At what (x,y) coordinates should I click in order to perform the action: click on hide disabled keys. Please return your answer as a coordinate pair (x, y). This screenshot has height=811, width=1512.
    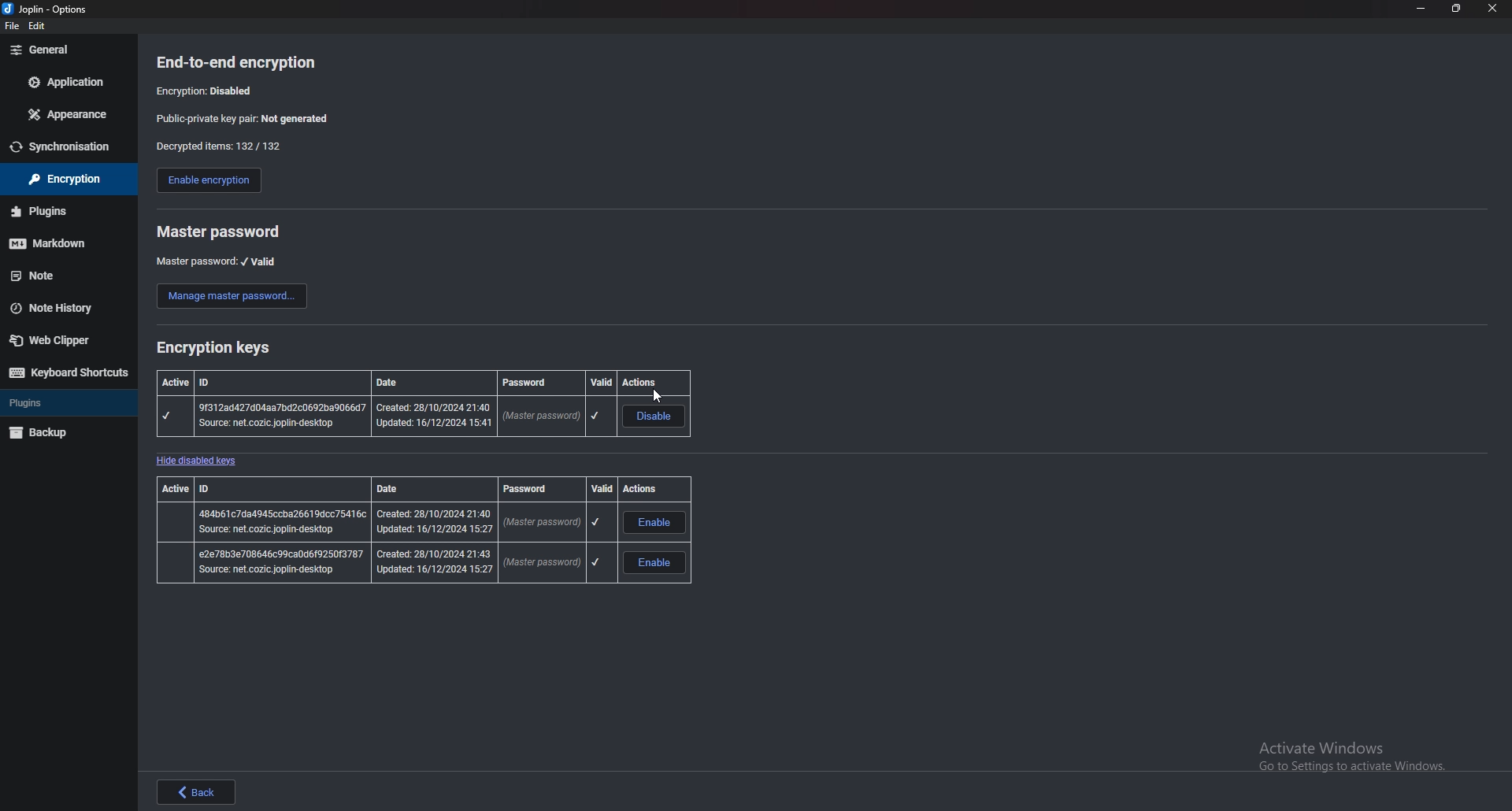
    Looking at the image, I should click on (202, 461).